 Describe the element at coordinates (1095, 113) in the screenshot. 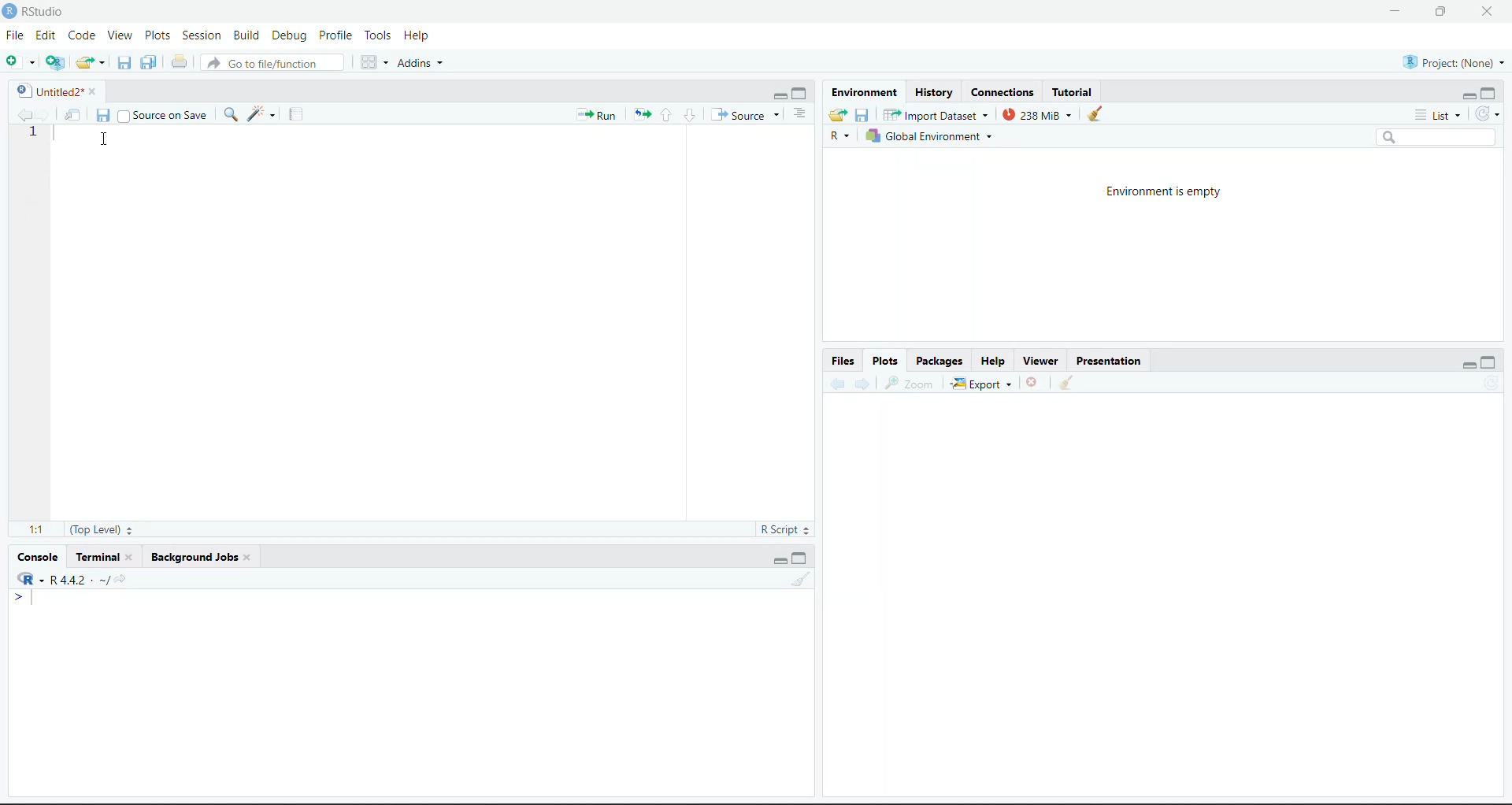

I see `clear` at that location.